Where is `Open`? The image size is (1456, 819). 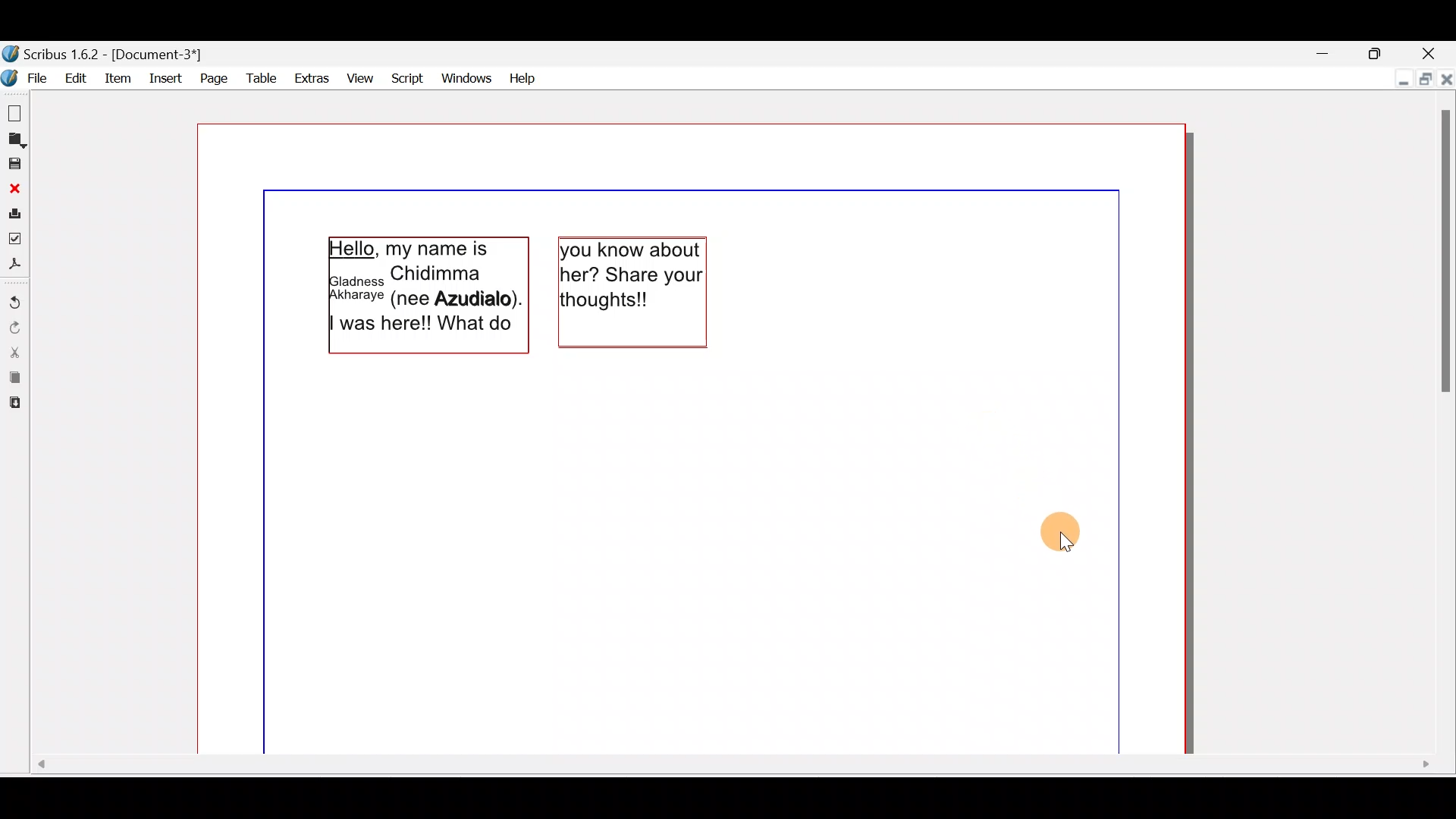 Open is located at coordinates (15, 140).